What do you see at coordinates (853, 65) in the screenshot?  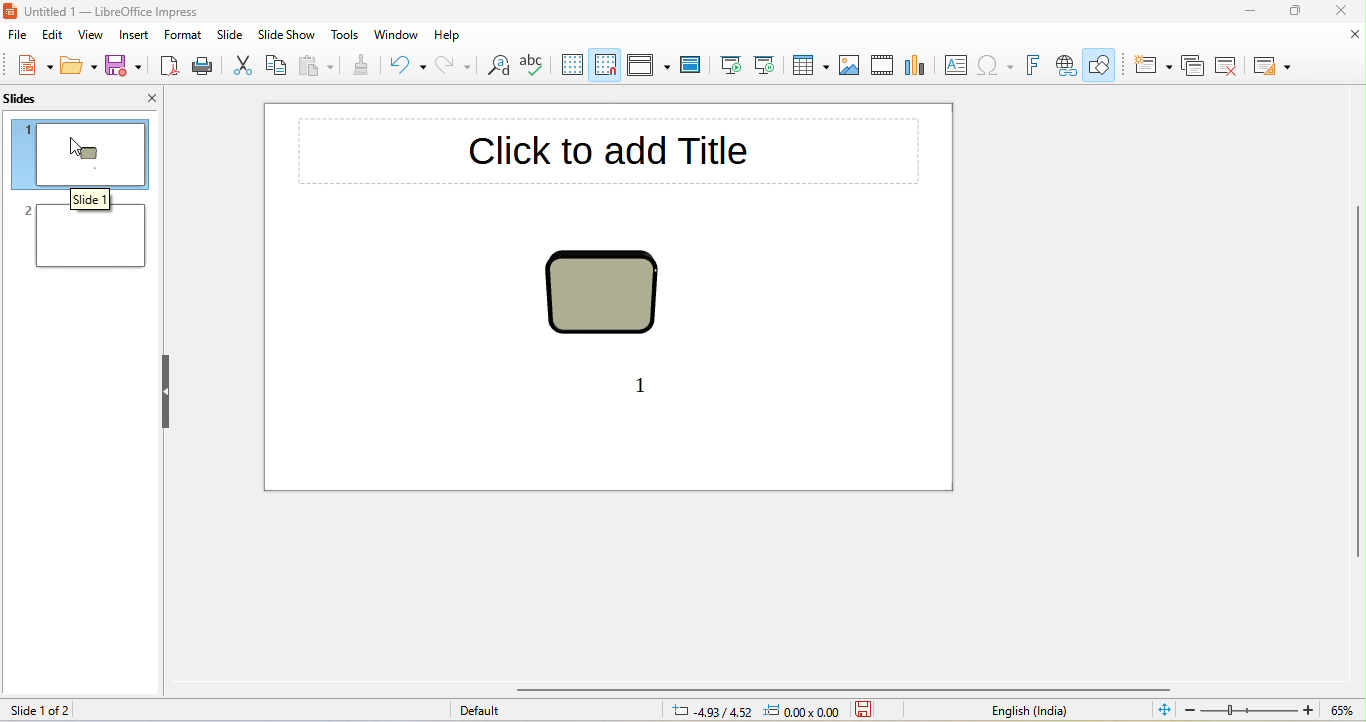 I see `image` at bounding box center [853, 65].